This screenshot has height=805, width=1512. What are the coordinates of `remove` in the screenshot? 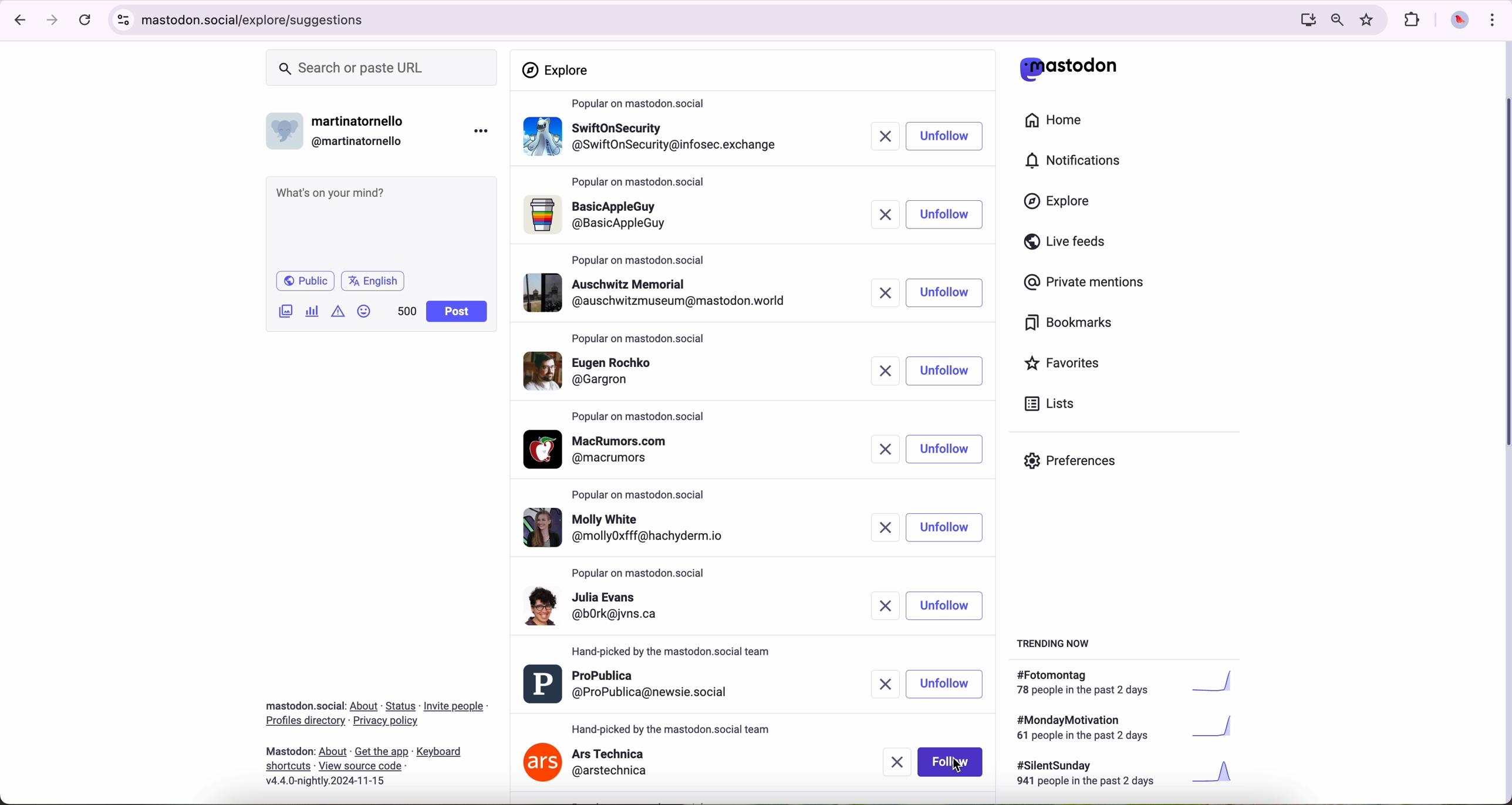 It's located at (885, 292).